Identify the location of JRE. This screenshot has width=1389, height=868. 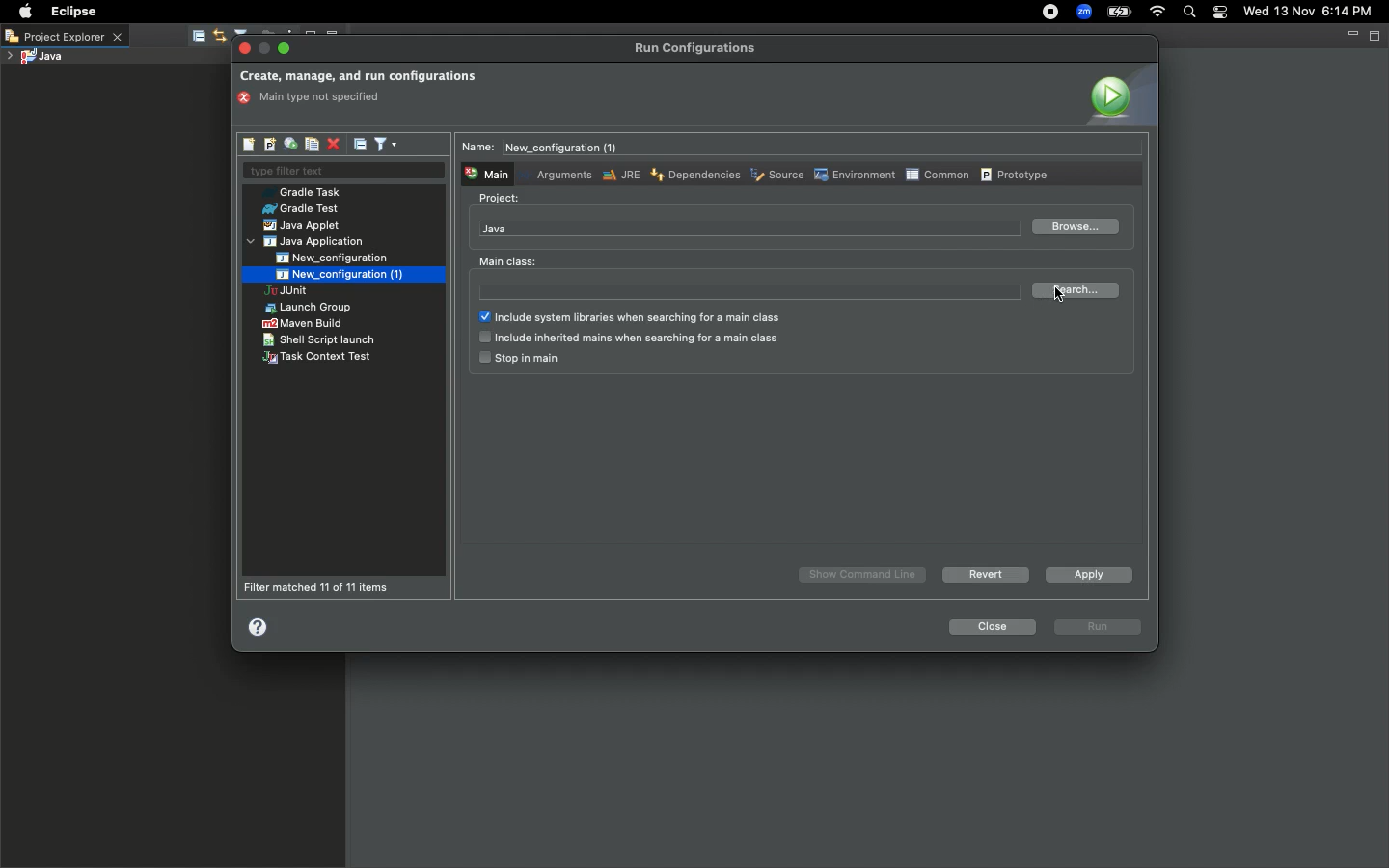
(619, 175).